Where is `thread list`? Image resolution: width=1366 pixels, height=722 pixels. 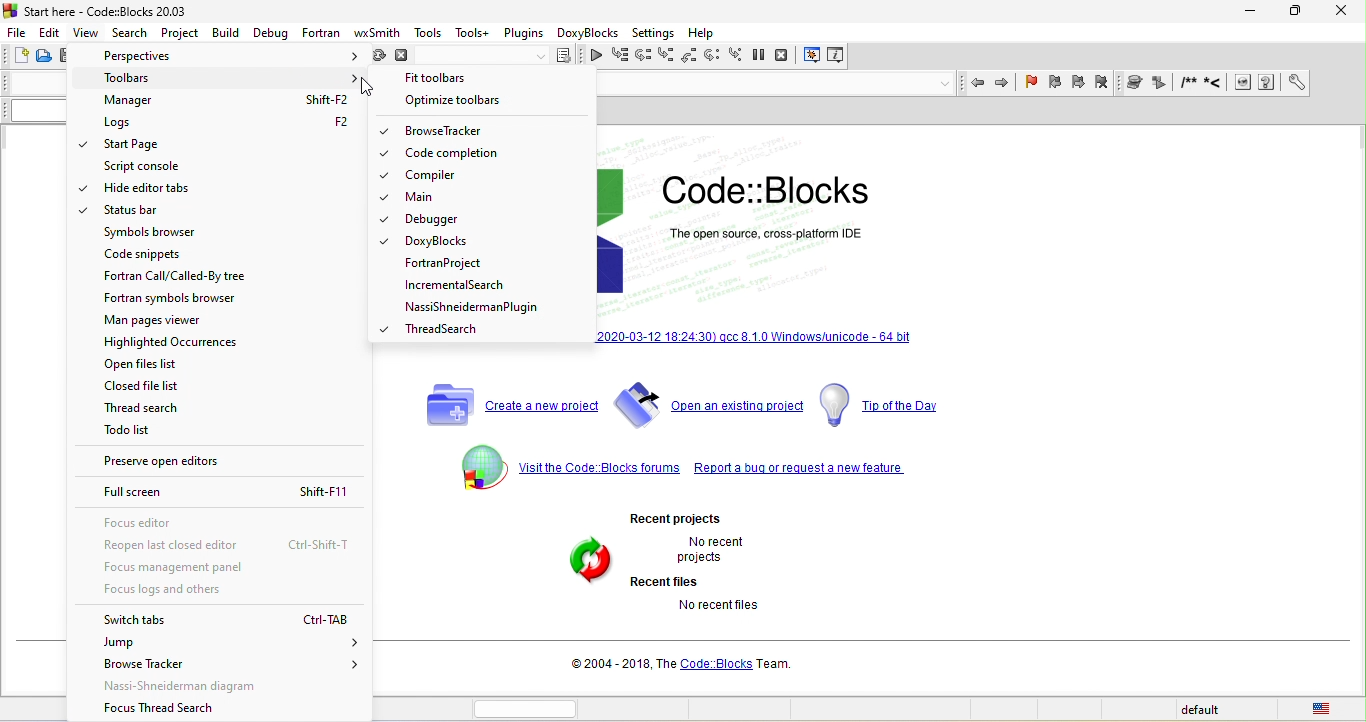 thread list is located at coordinates (145, 410).